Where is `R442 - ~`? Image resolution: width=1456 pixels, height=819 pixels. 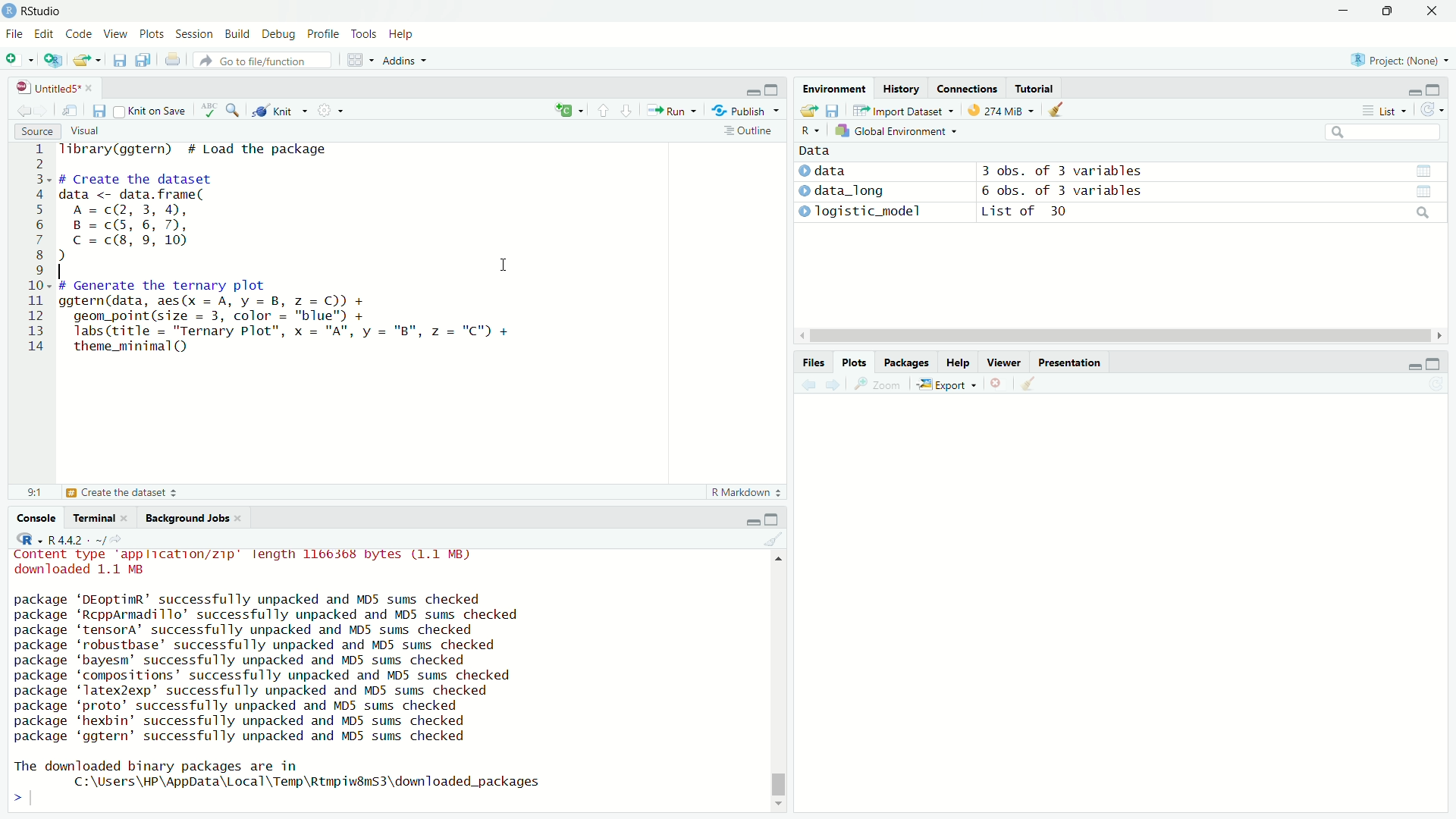 R442 - ~ is located at coordinates (68, 539).